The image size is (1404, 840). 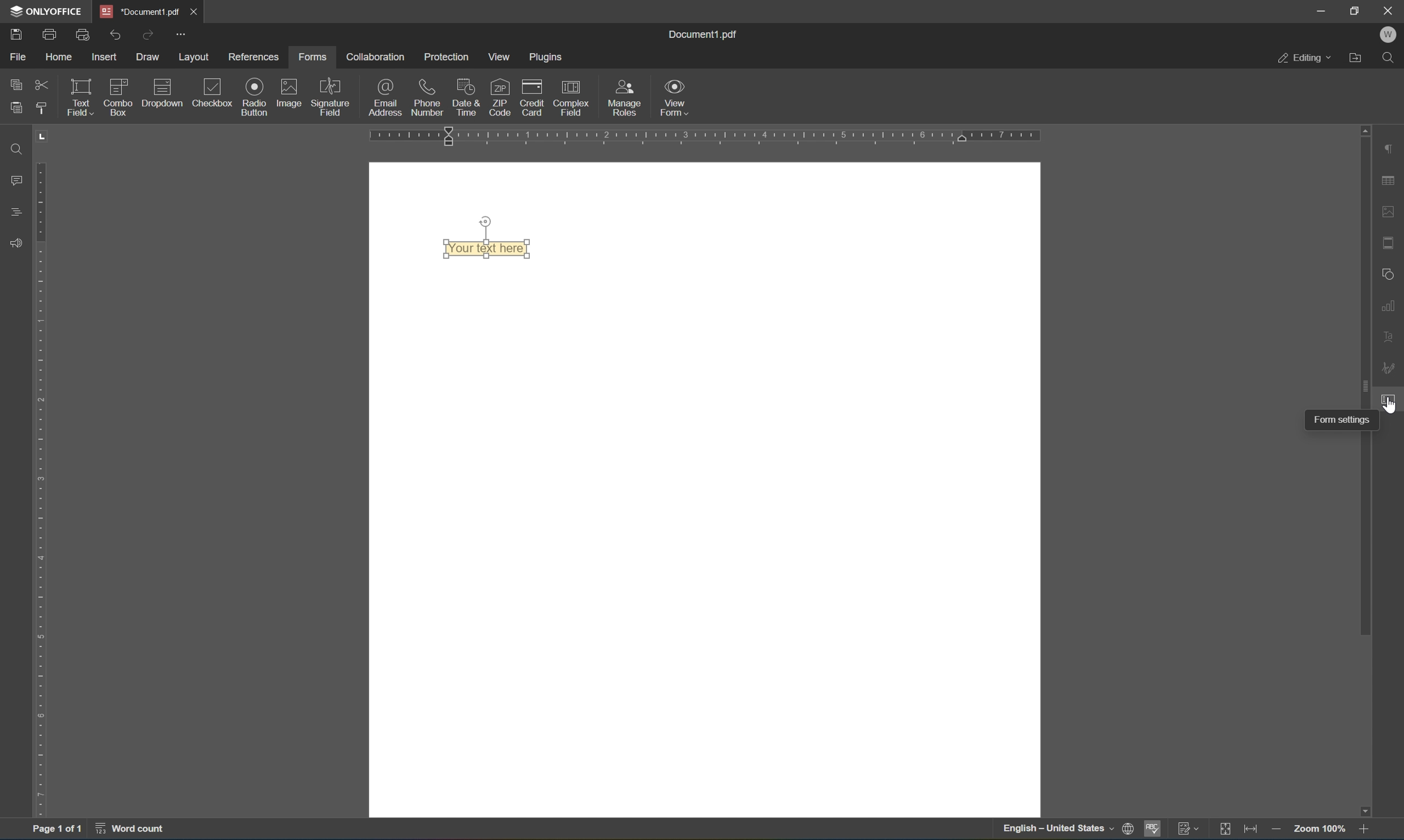 What do you see at coordinates (1154, 830) in the screenshot?
I see `spell checking` at bounding box center [1154, 830].